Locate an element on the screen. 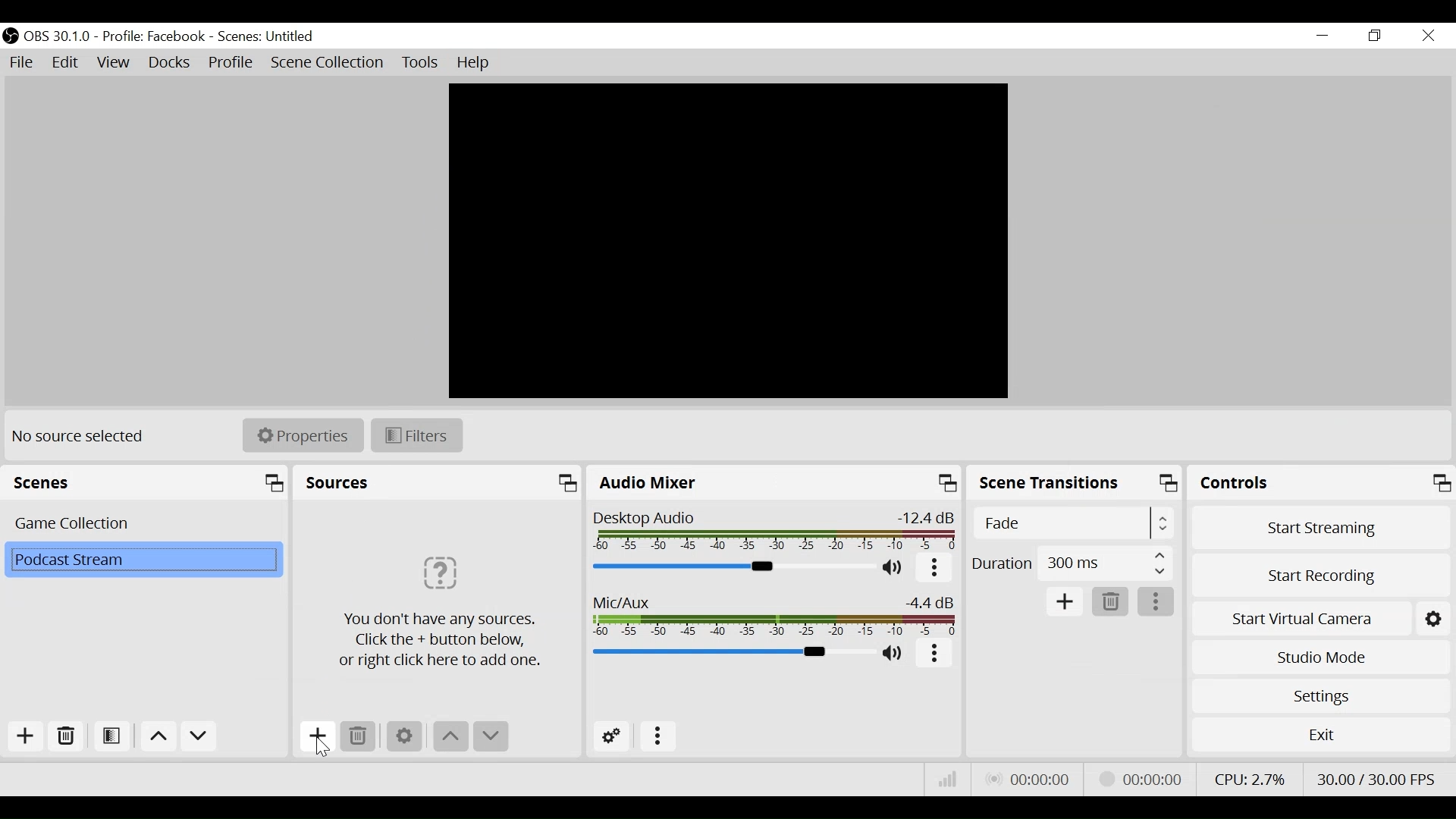 The image size is (1456, 819). CPU Usage is located at coordinates (1250, 780).